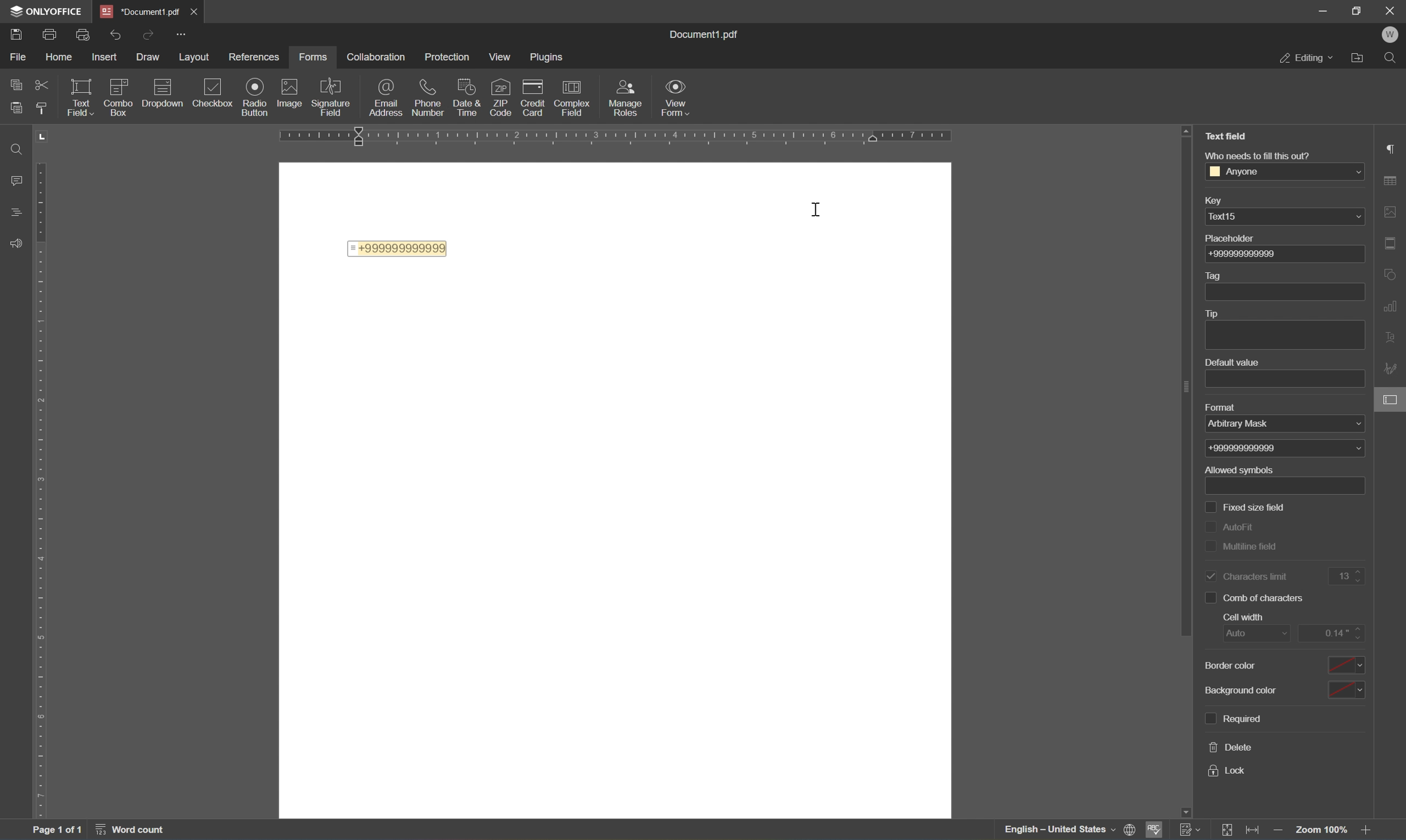  What do you see at coordinates (1392, 370) in the screenshot?
I see `signature settings` at bounding box center [1392, 370].